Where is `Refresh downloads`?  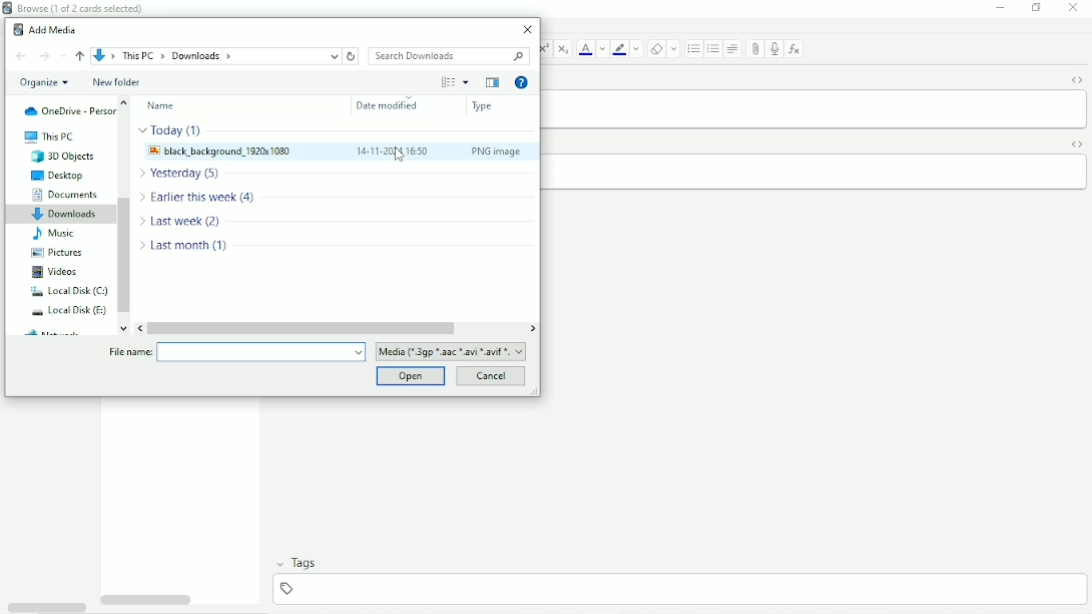
Refresh downloads is located at coordinates (352, 57).